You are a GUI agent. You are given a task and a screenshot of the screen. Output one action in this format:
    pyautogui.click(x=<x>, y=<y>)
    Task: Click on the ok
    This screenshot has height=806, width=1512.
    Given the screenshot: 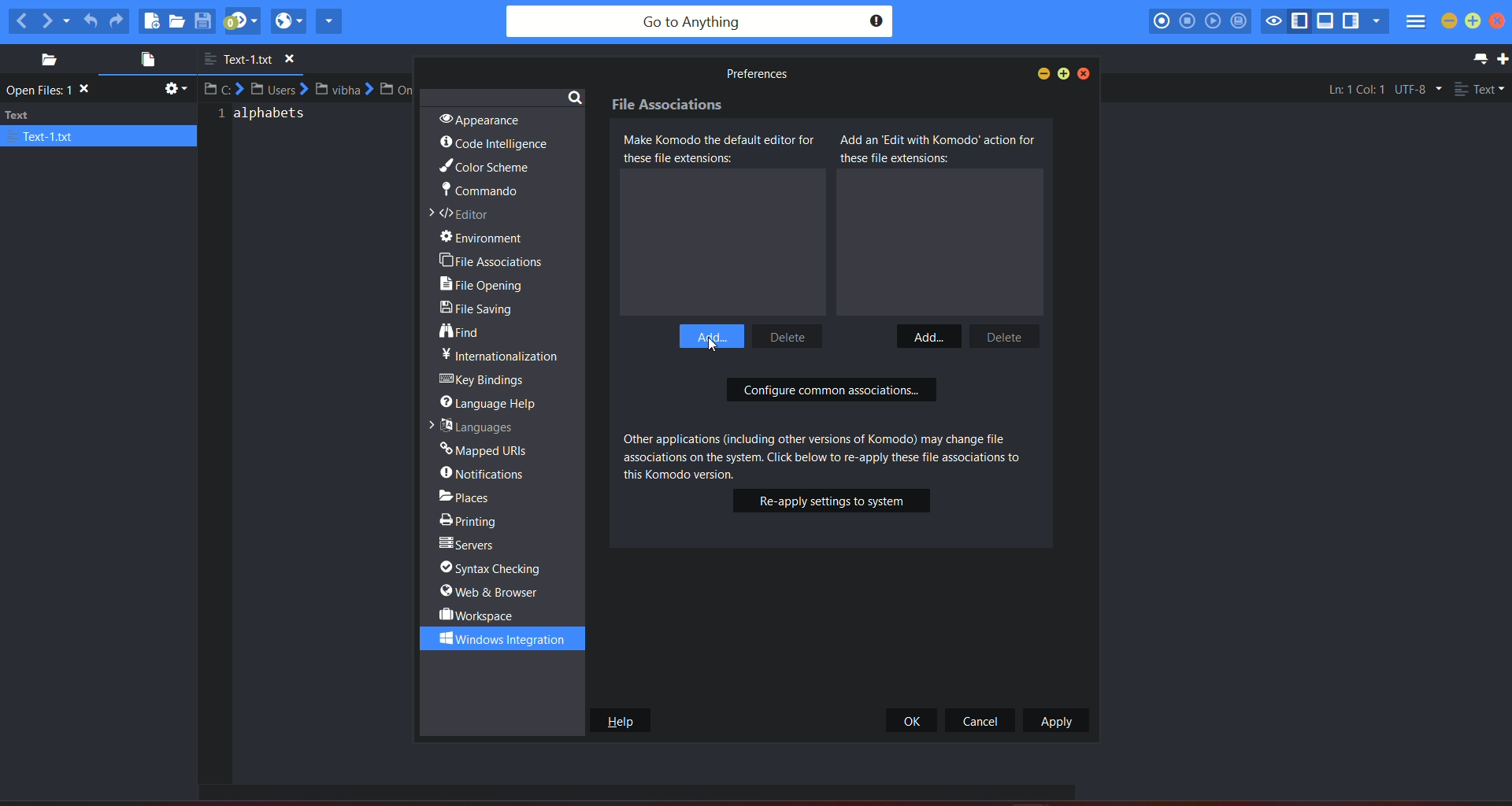 What is the action you would take?
    pyautogui.click(x=913, y=720)
    